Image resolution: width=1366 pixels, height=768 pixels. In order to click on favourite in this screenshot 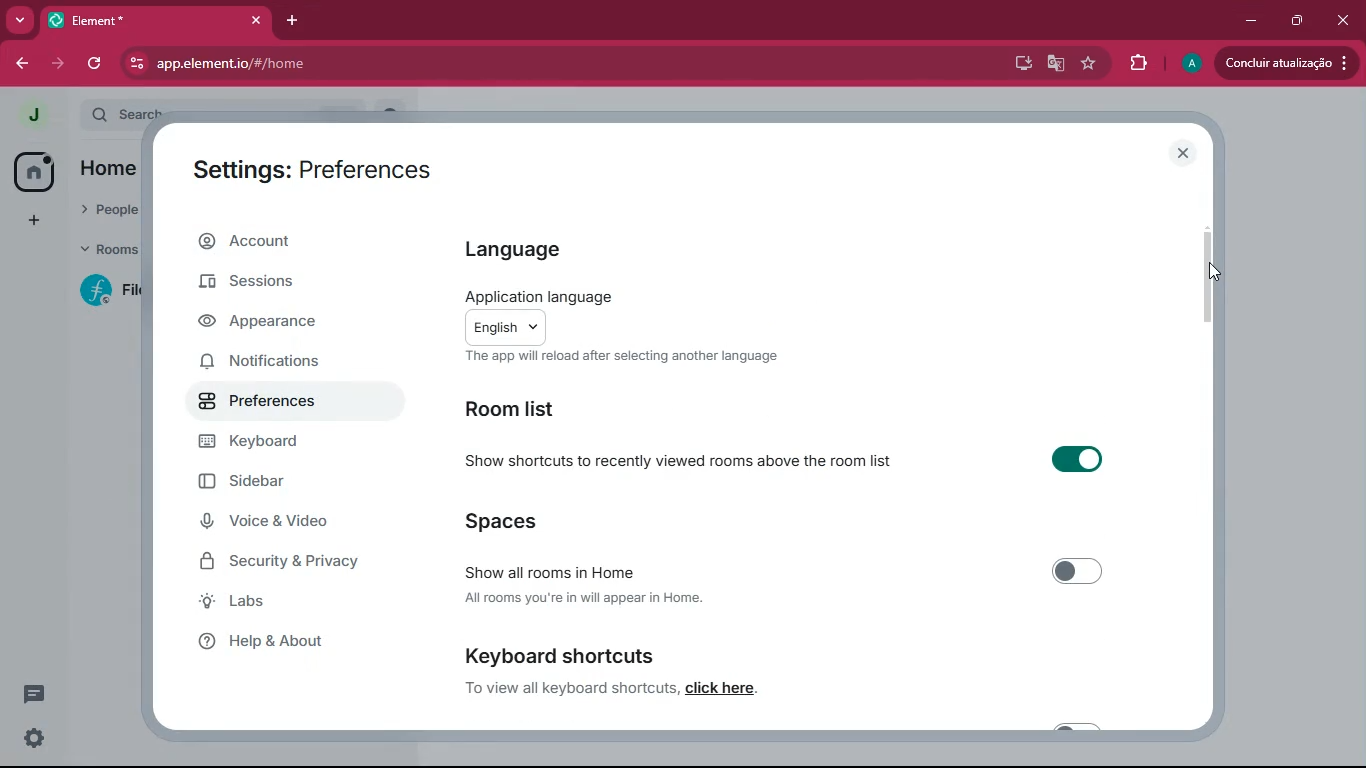, I will do `click(1091, 64)`.